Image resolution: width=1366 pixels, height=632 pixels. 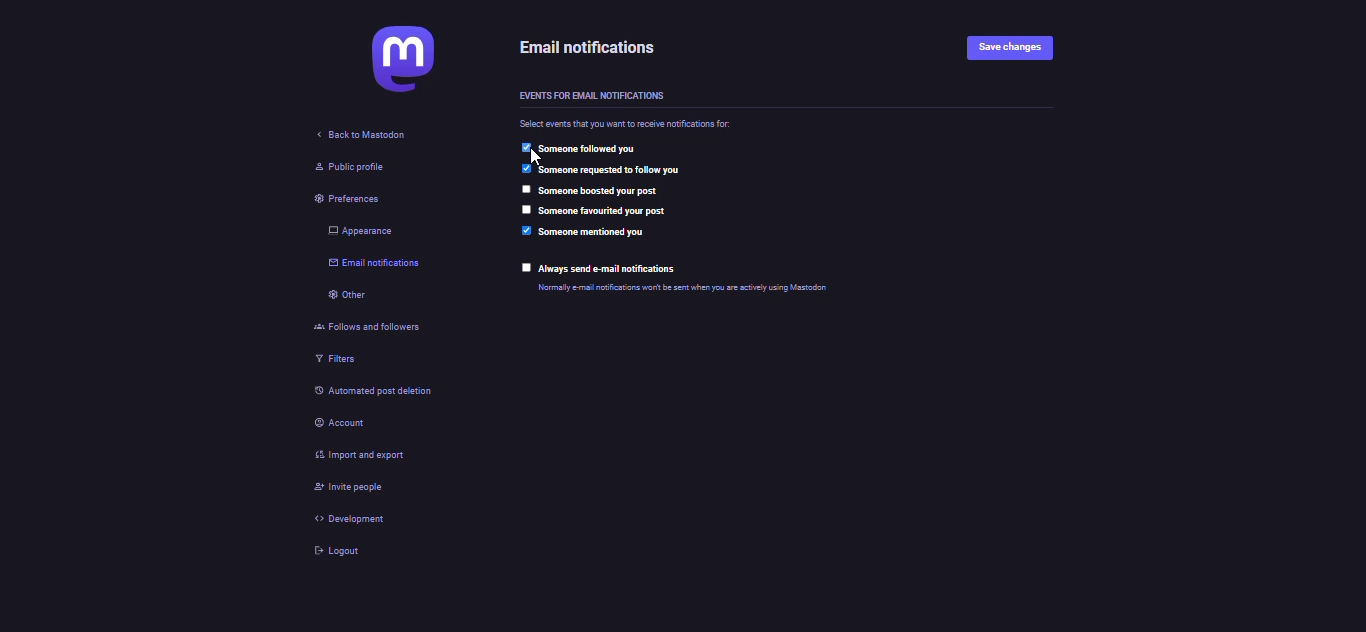 What do you see at coordinates (609, 269) in the screenshot?
I see `always send email notifications` at bounding box center [609, 269].